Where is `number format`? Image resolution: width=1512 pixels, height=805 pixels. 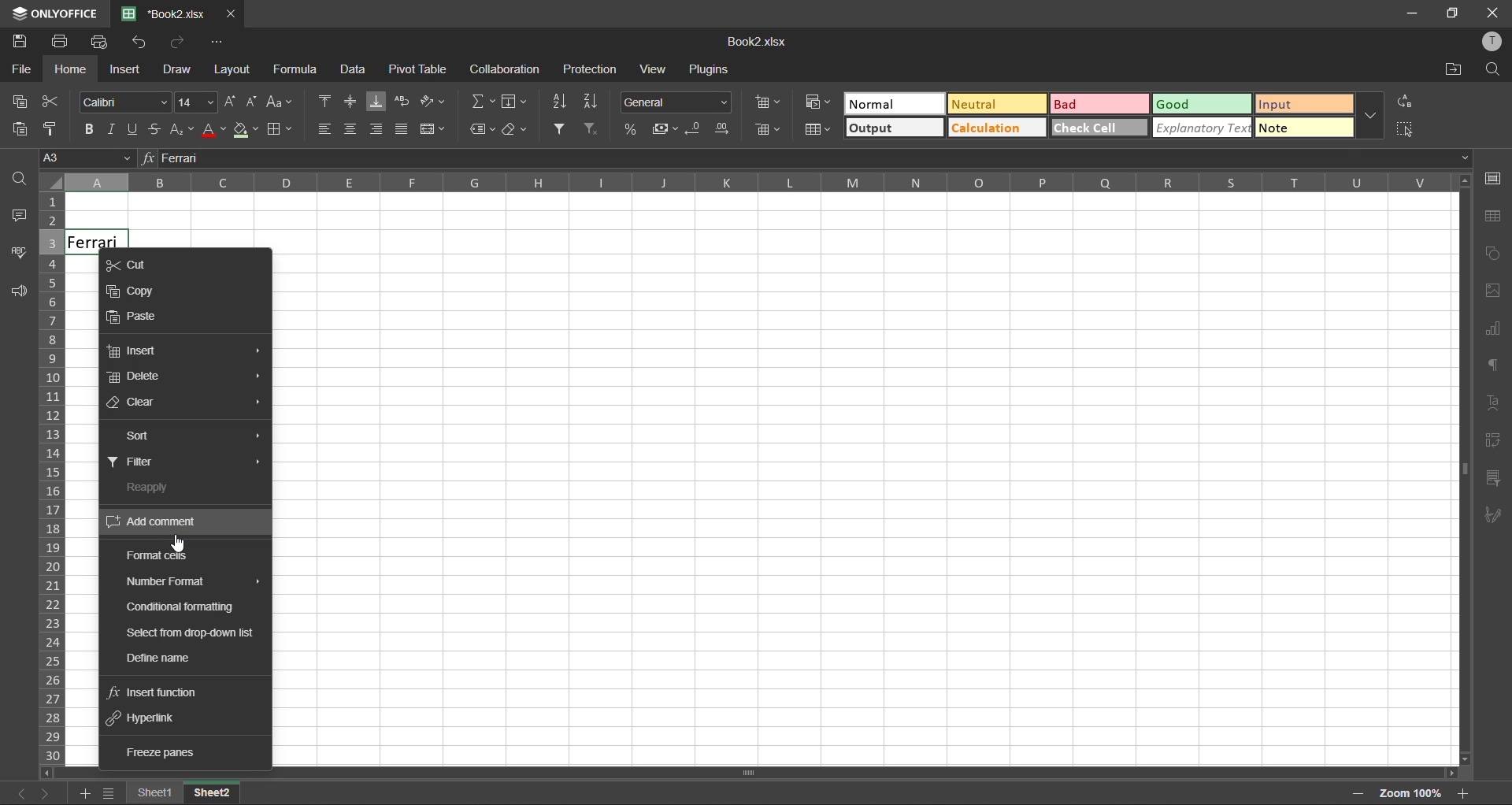
number format is located at coordinates (167, 581).